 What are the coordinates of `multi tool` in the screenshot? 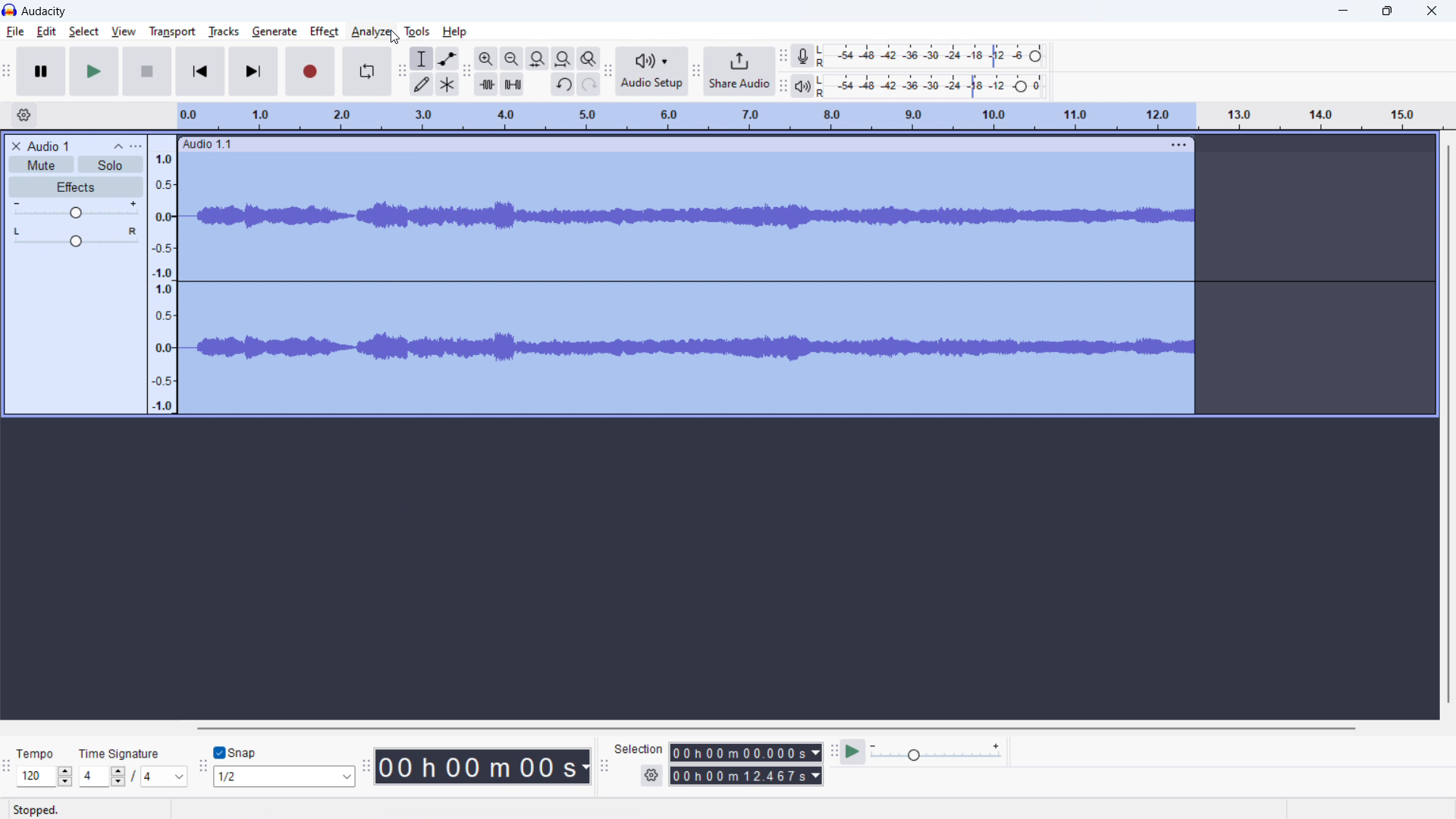 It's located at (447, 83).